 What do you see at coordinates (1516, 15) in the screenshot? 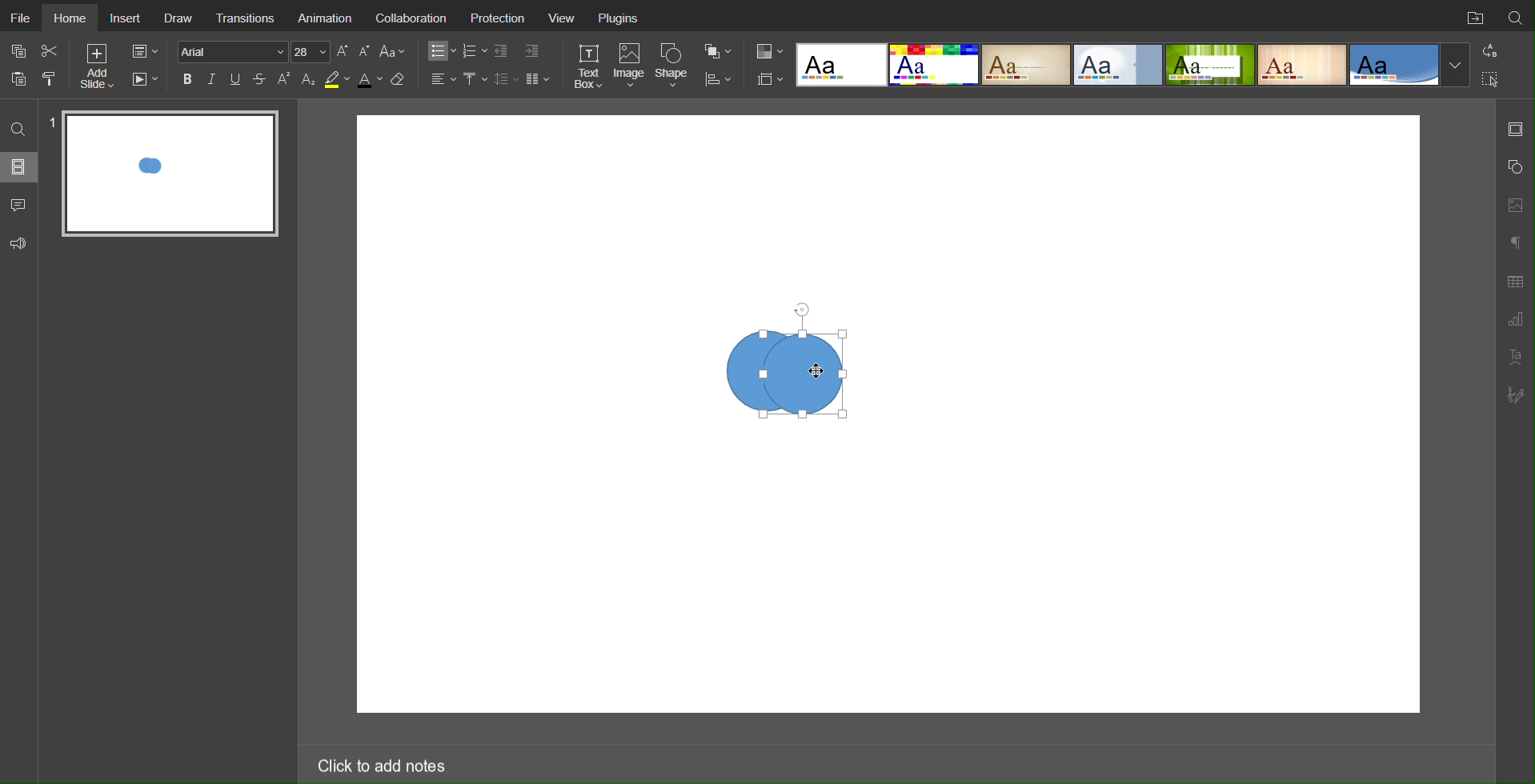
I see `Search` at bounding box center [1516, 15].